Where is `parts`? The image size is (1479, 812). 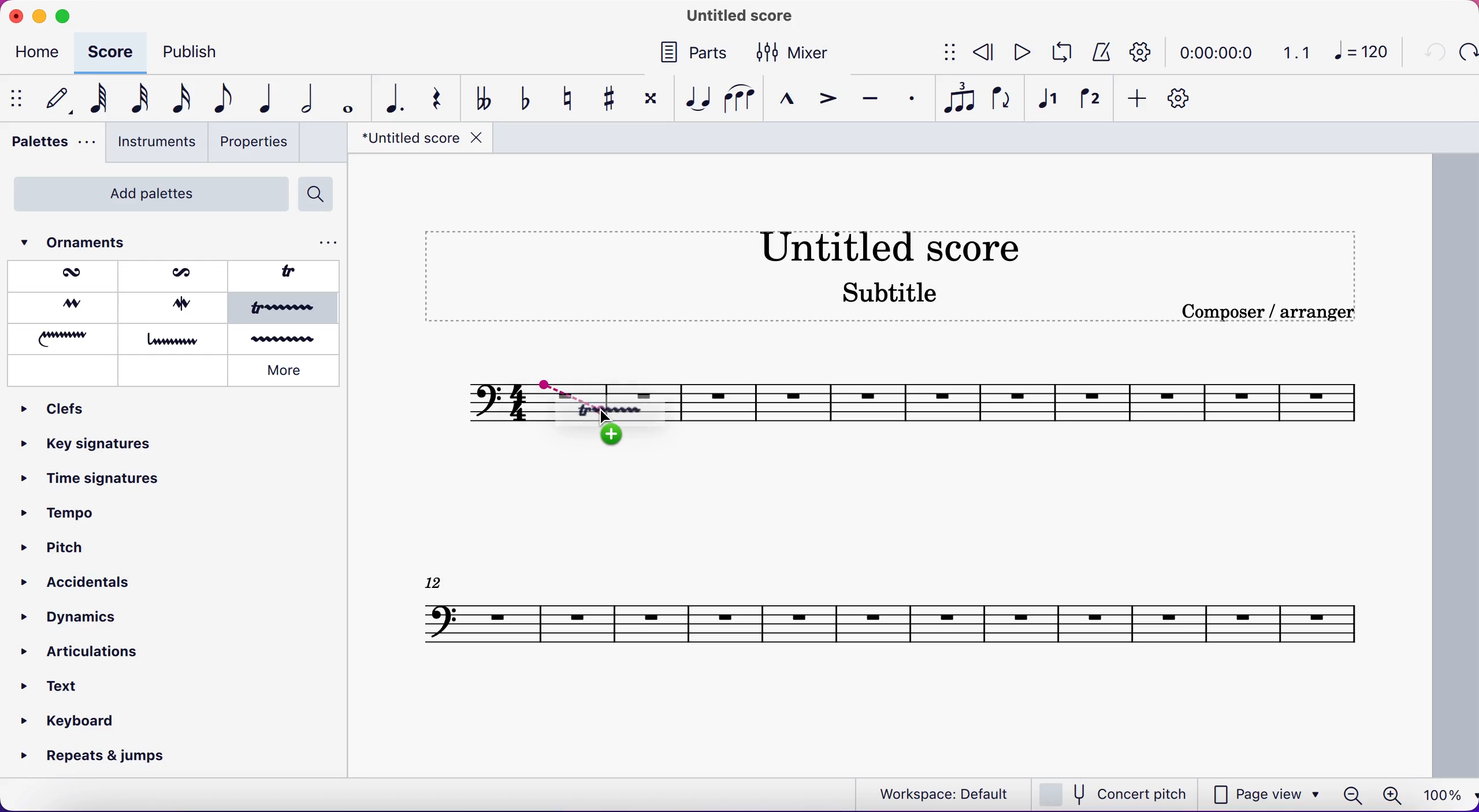
parts is located at coordinates (693, 55).